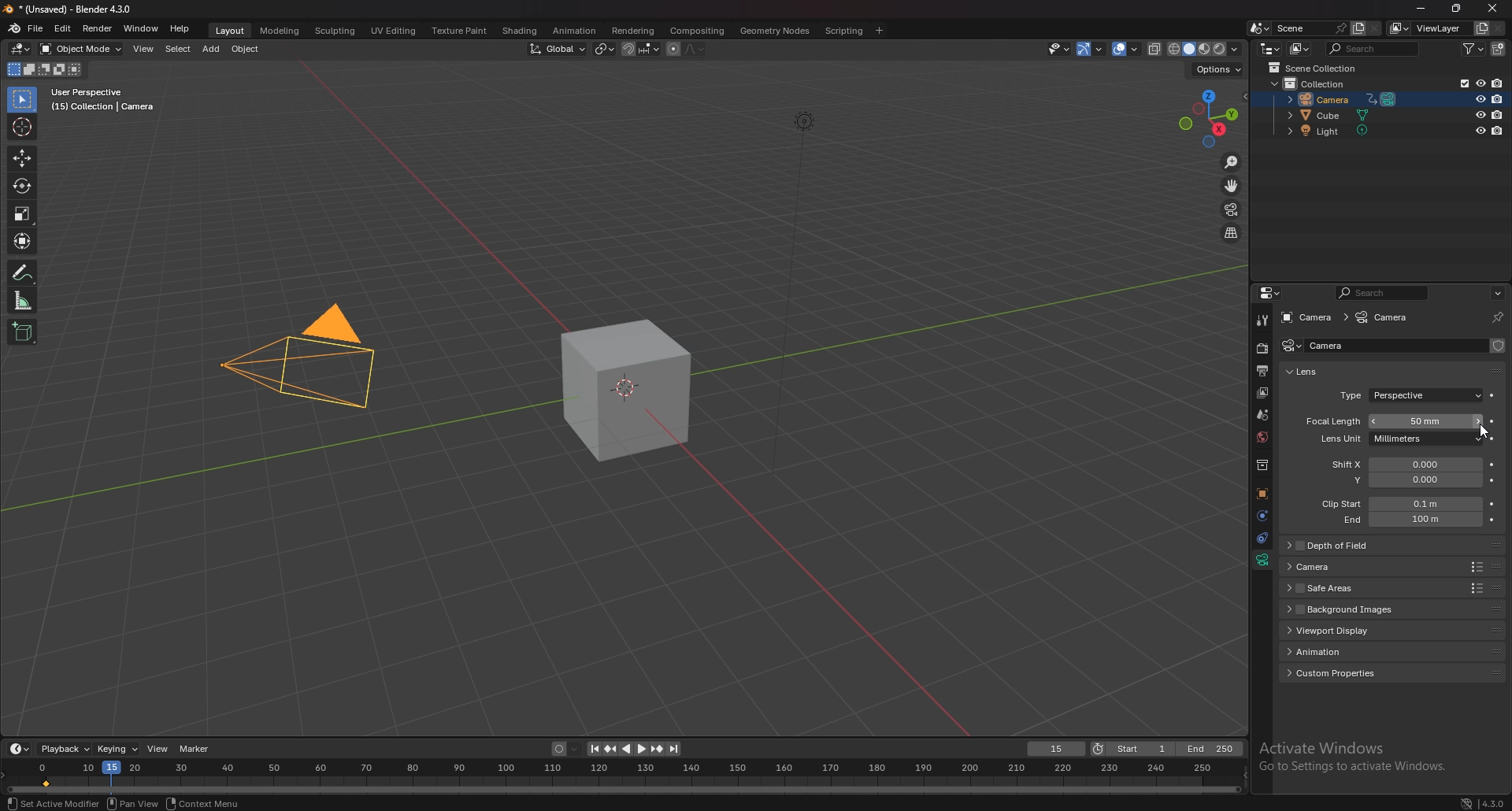  What do you see at coordinates (20, 332) in the screenshot?
I see `add cube` at bounding box center [20, 332].